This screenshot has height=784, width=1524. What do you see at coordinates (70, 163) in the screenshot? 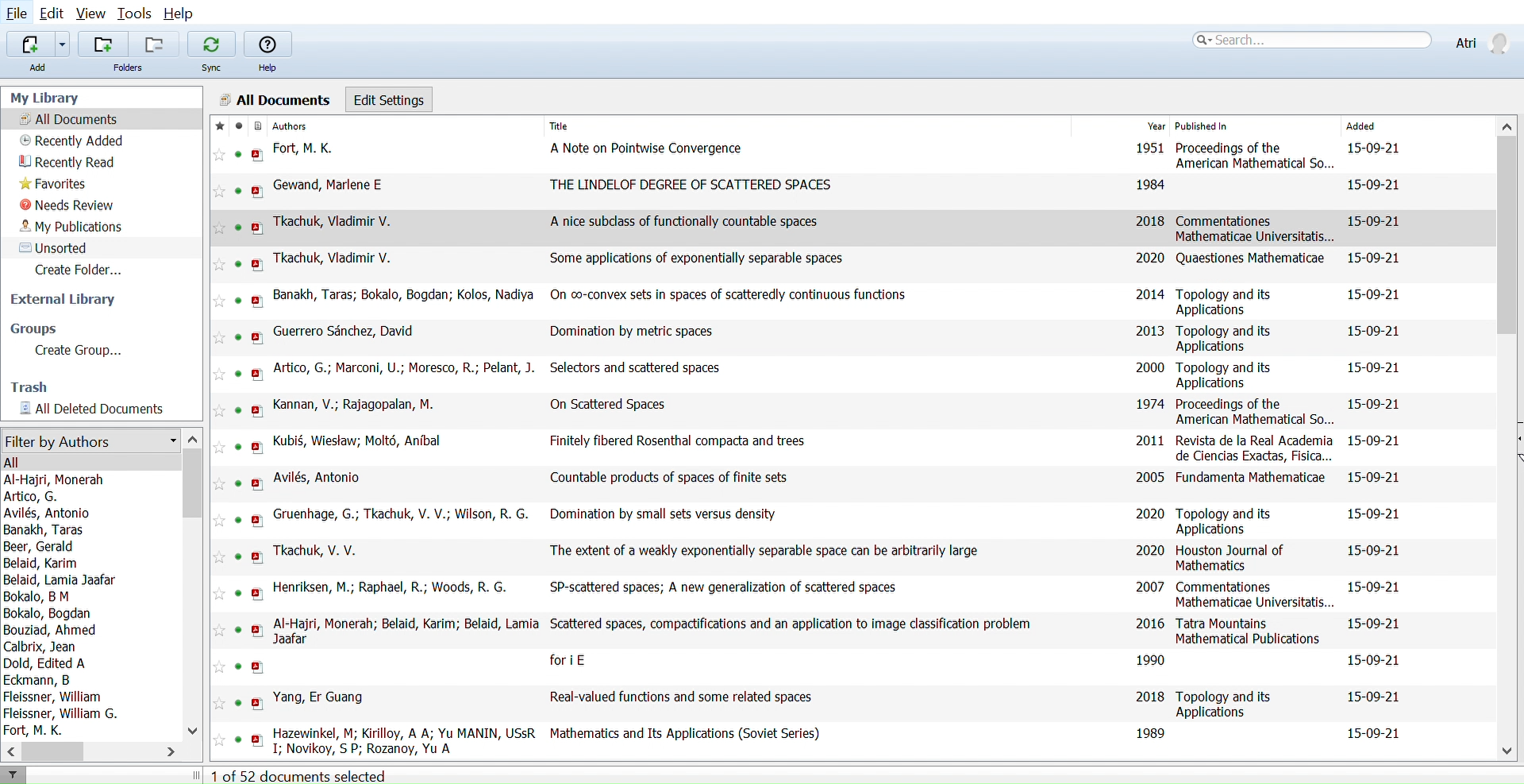
I see `Recently read` at bounding box center [70, 163].